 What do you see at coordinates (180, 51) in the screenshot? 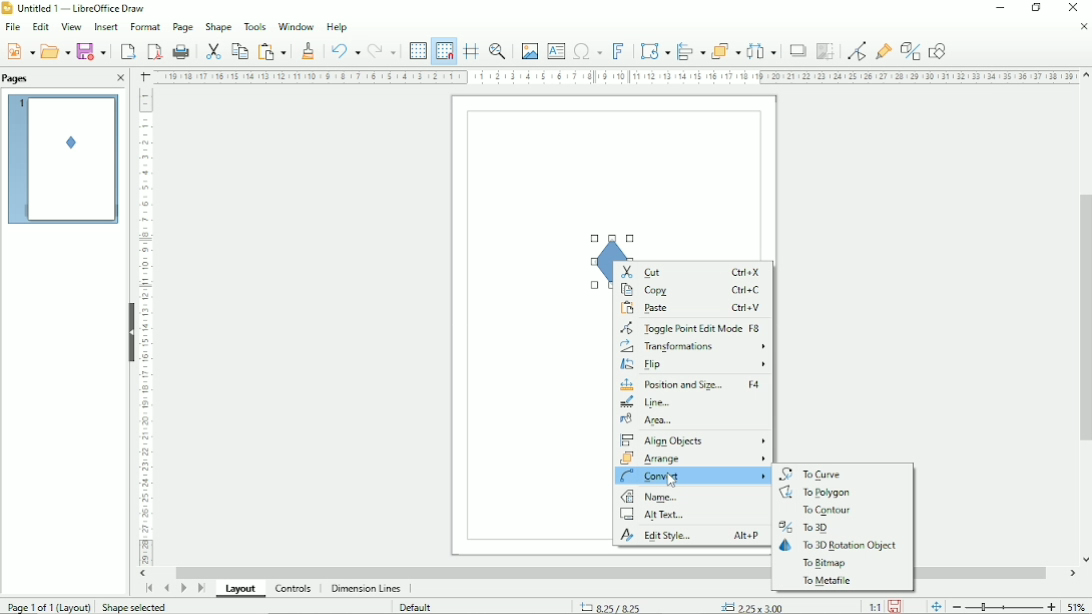
I see `Print` at bounding box center [180, 51].